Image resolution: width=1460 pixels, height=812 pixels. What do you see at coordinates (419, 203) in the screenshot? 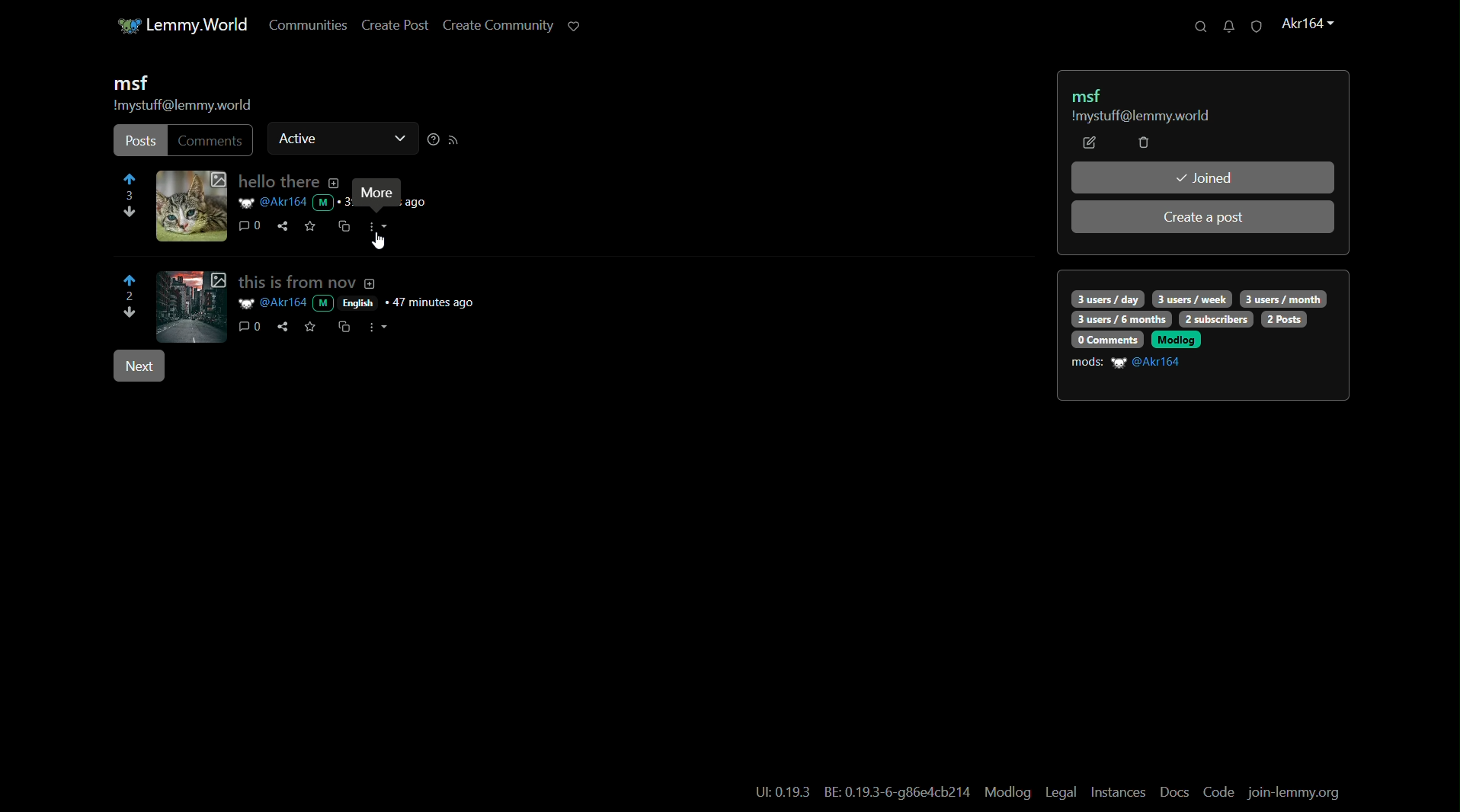
I see `text` at bounding box center [419, 203].